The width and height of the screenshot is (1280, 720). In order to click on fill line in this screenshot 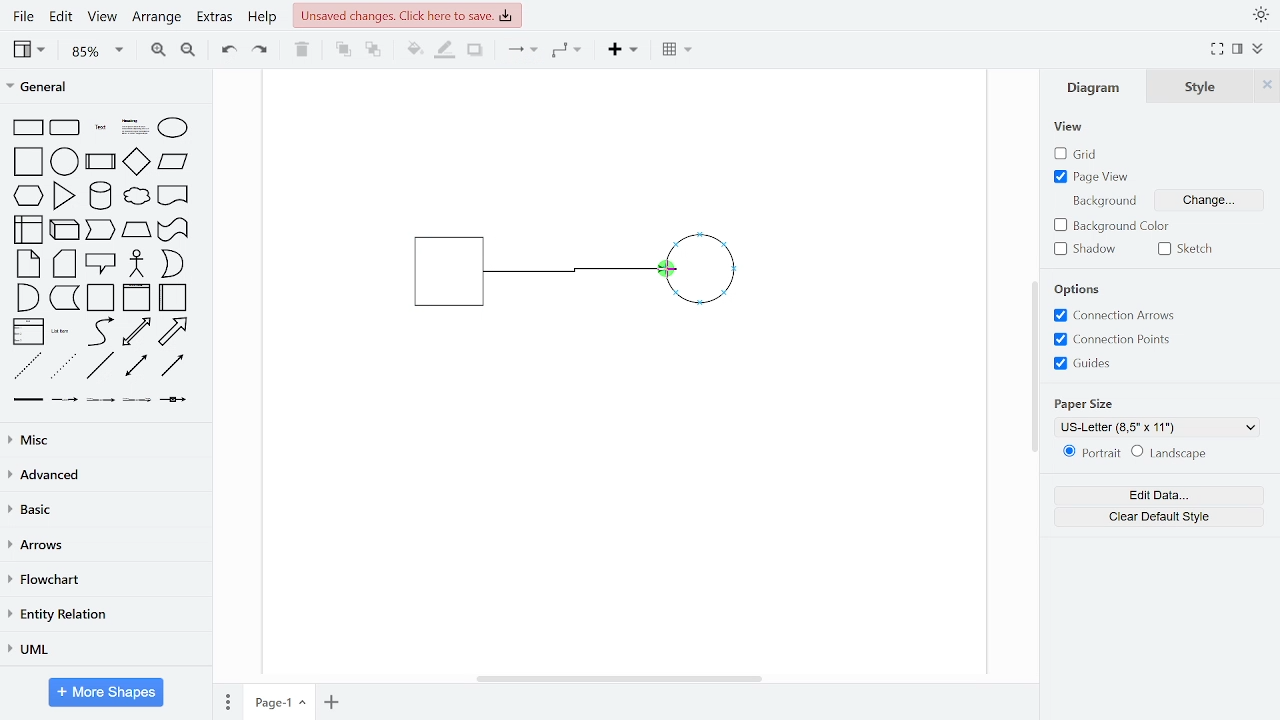, I will do `click(444, 50)`.